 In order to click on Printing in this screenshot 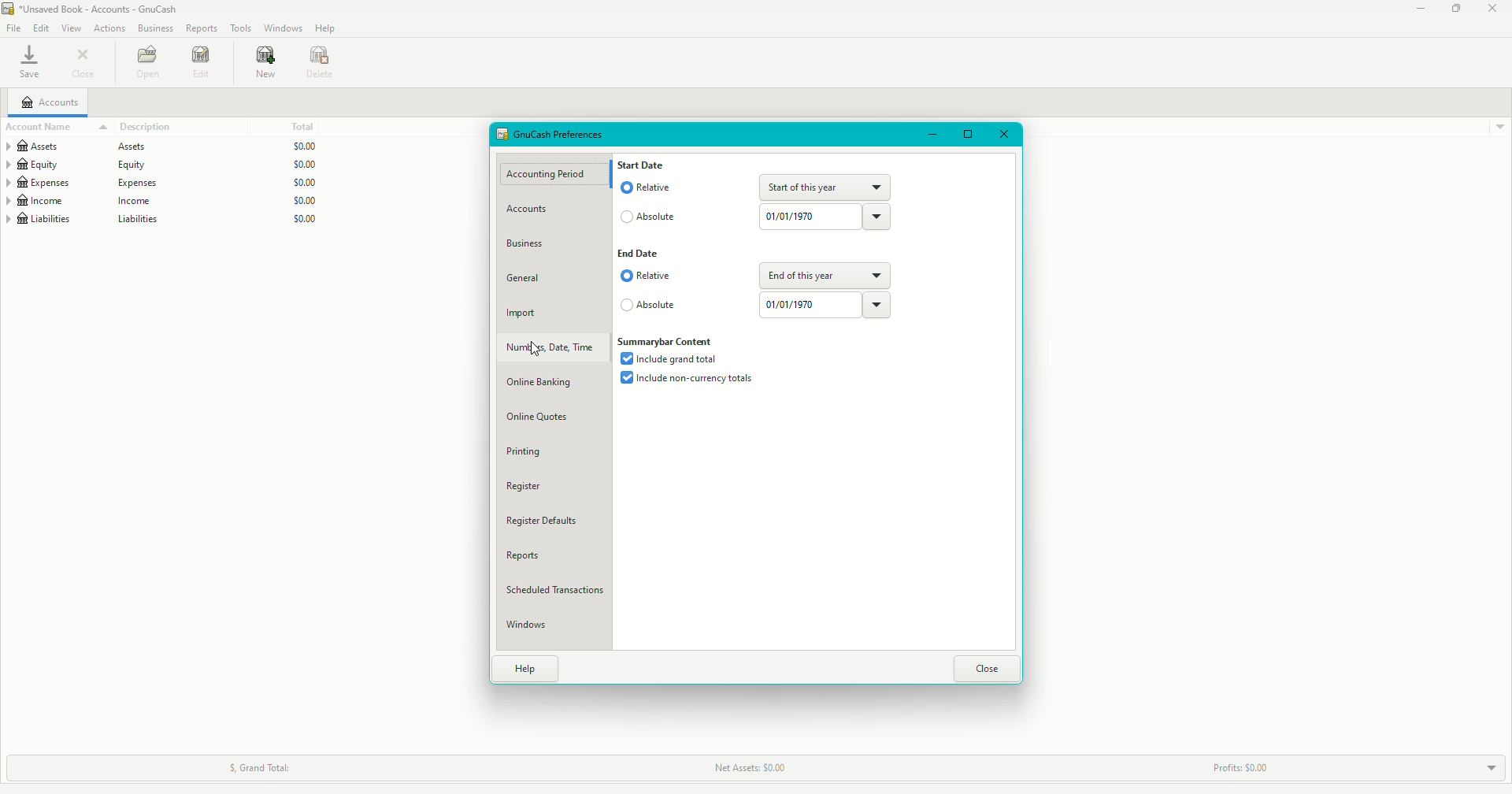, I will do `click(528, 451)`.